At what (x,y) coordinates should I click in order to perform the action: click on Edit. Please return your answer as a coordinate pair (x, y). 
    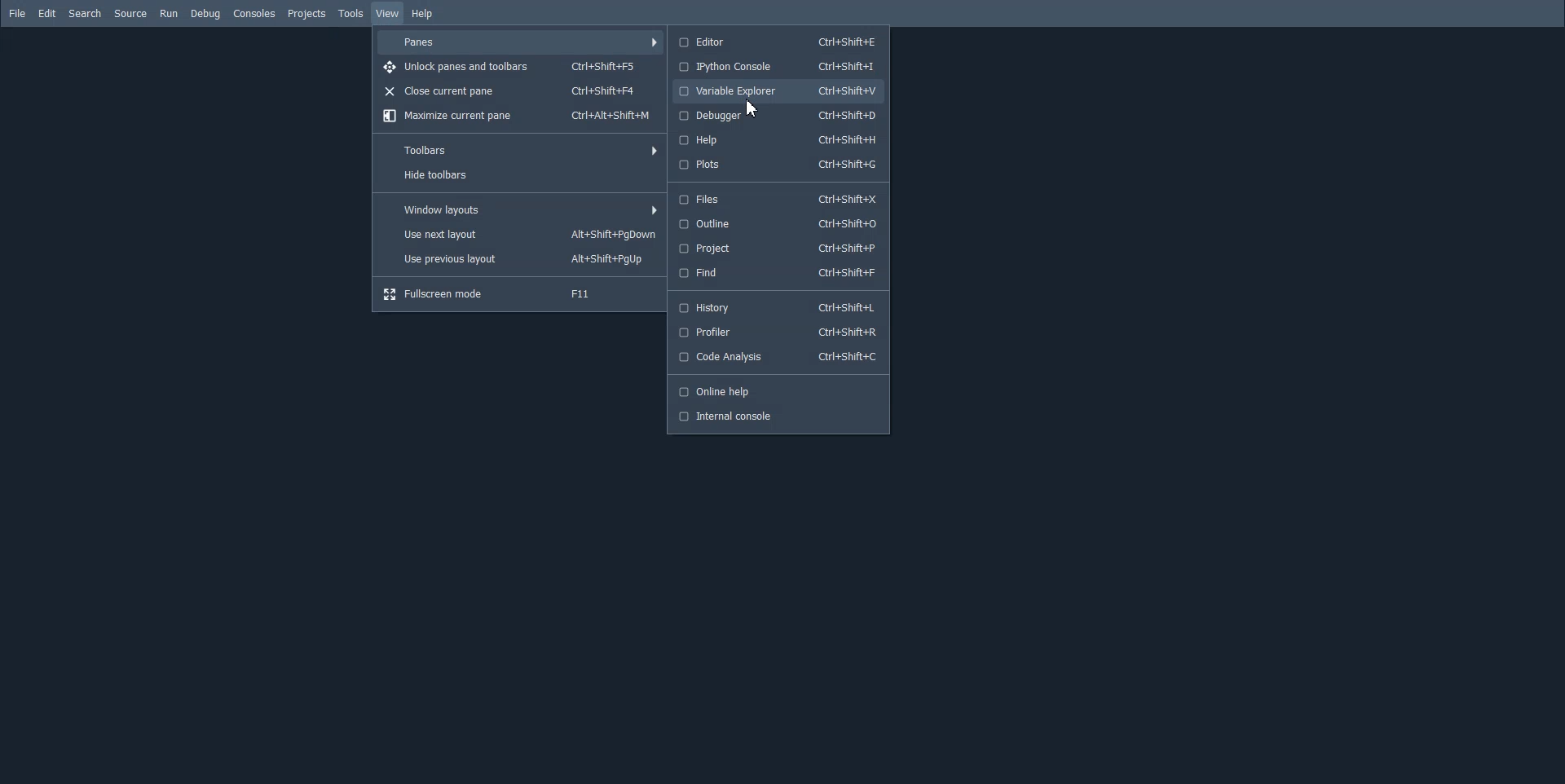
    Looking at the image, I should click on (48, 13).